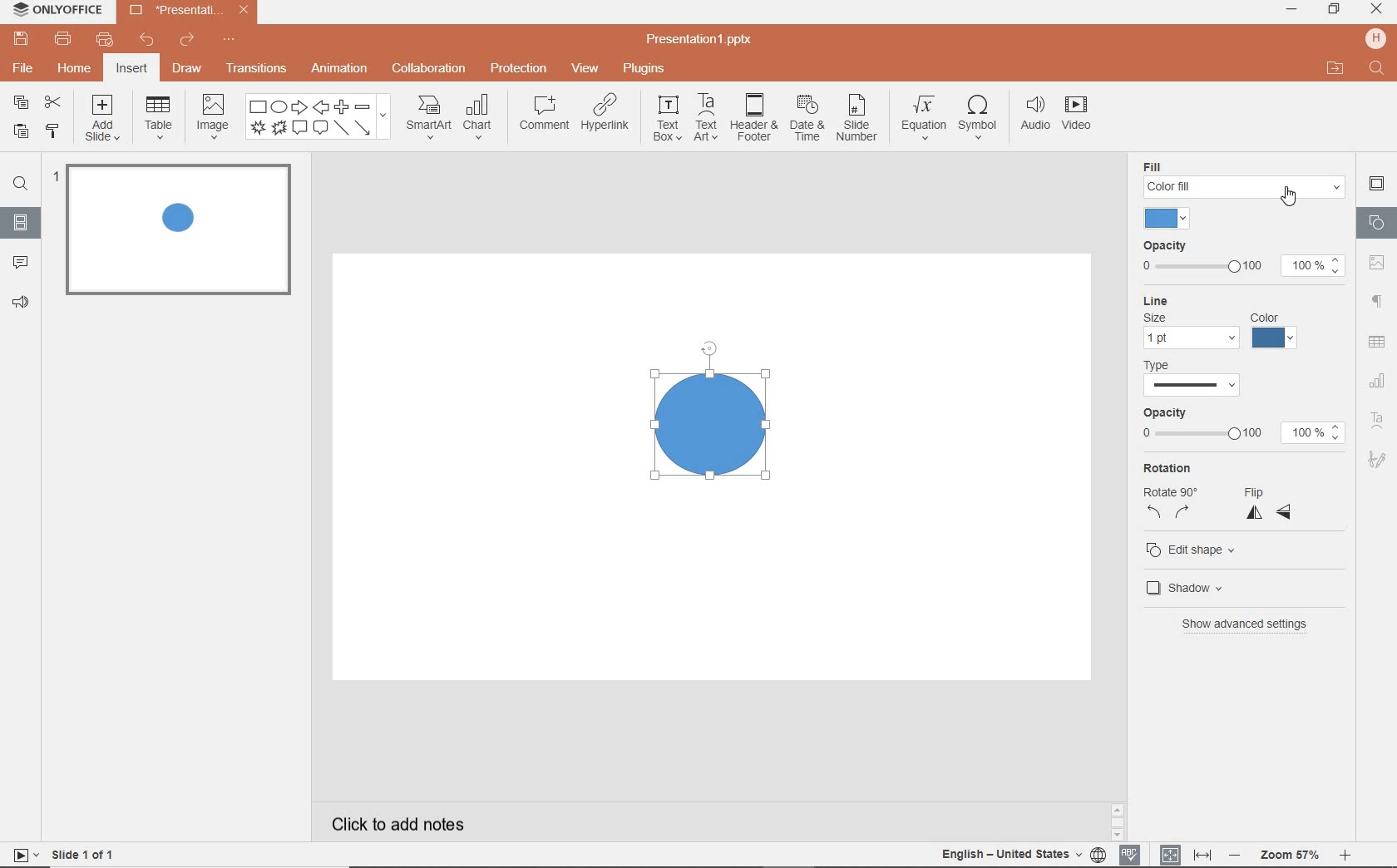  What do you see at coordinates (1173, 493) in the screenshot?
I see `Rotation` at bounding box center [1173, 493].